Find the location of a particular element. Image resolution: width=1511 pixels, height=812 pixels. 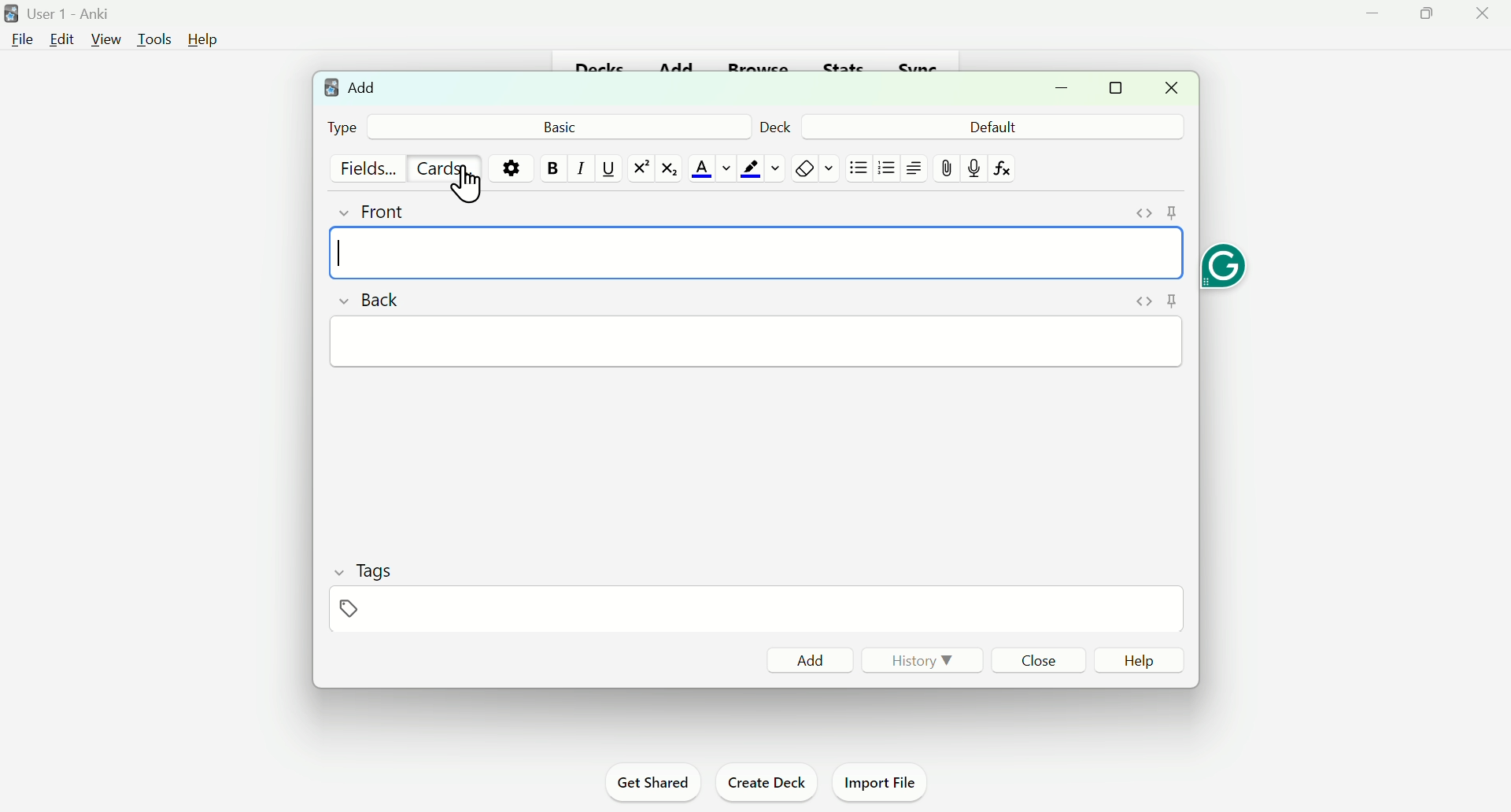

resize is located at coordinates (1426, 13).